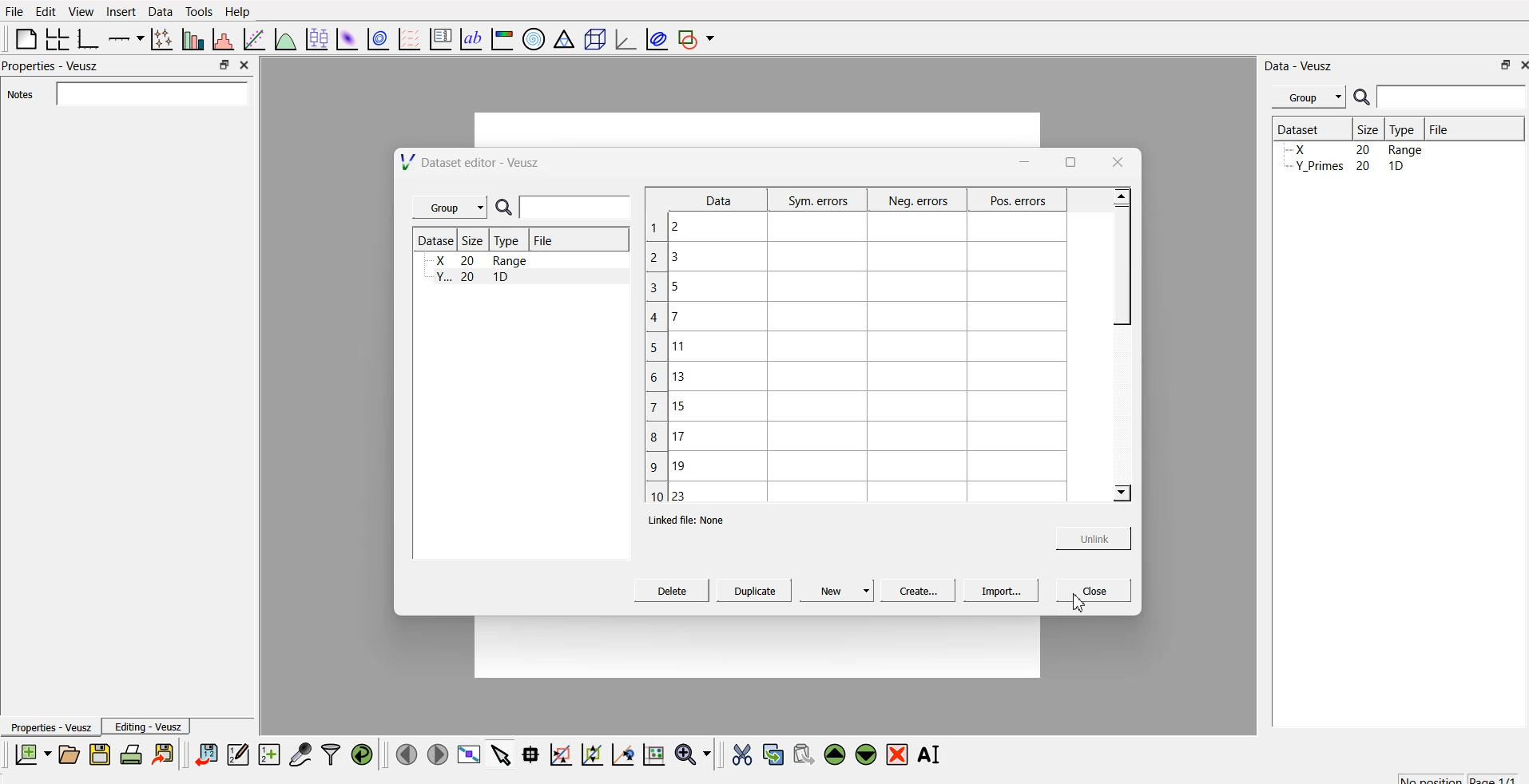 The width and height of the screenshot is (1529, 784). I want to click on open a document, so click(68, 754).